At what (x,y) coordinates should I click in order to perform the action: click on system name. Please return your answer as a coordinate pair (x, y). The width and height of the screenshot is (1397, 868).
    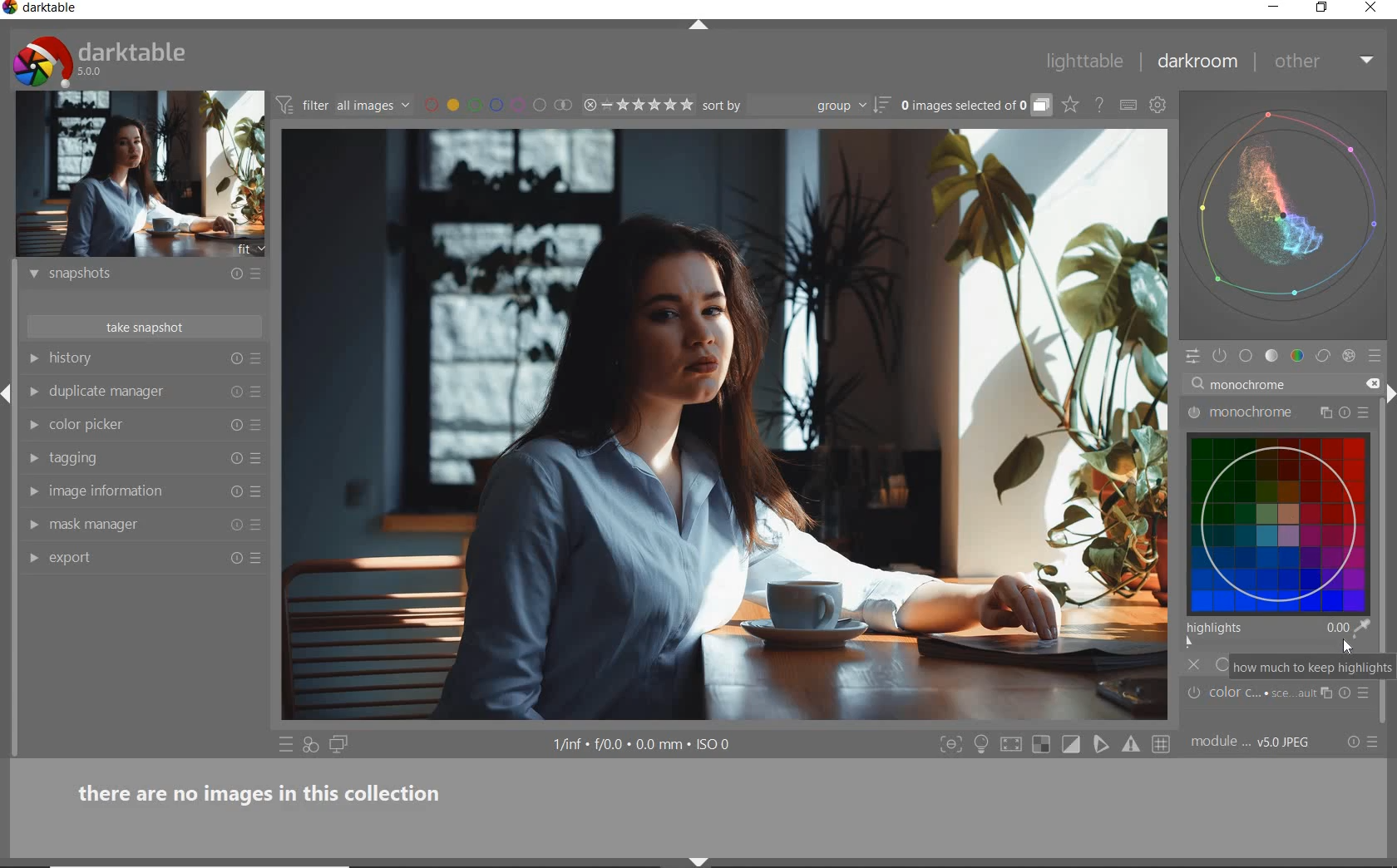
    Looking at the image, I should click on (42, 9).